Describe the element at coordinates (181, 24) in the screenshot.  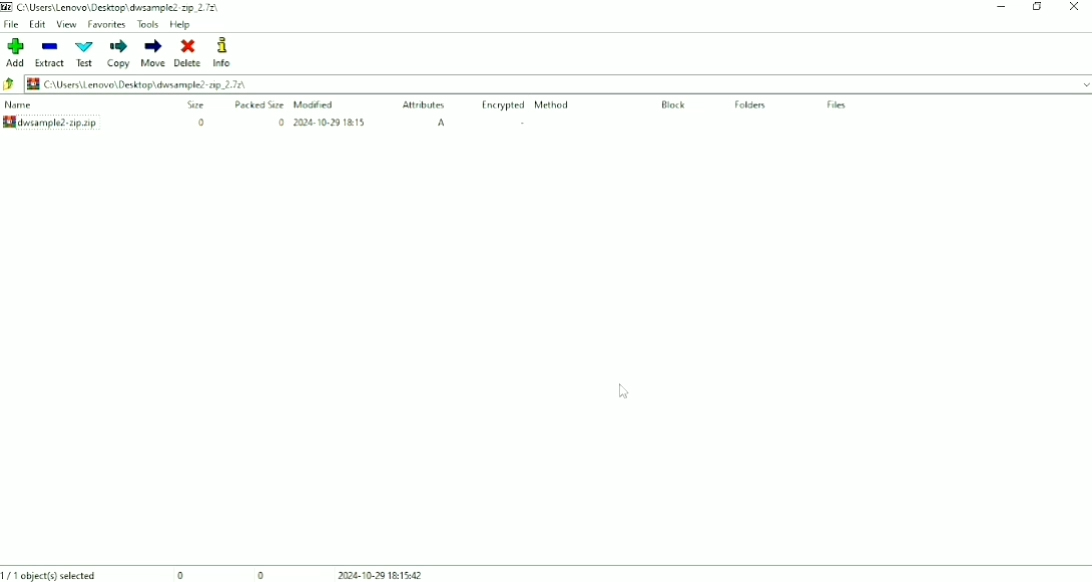
I see `Help` at that location.